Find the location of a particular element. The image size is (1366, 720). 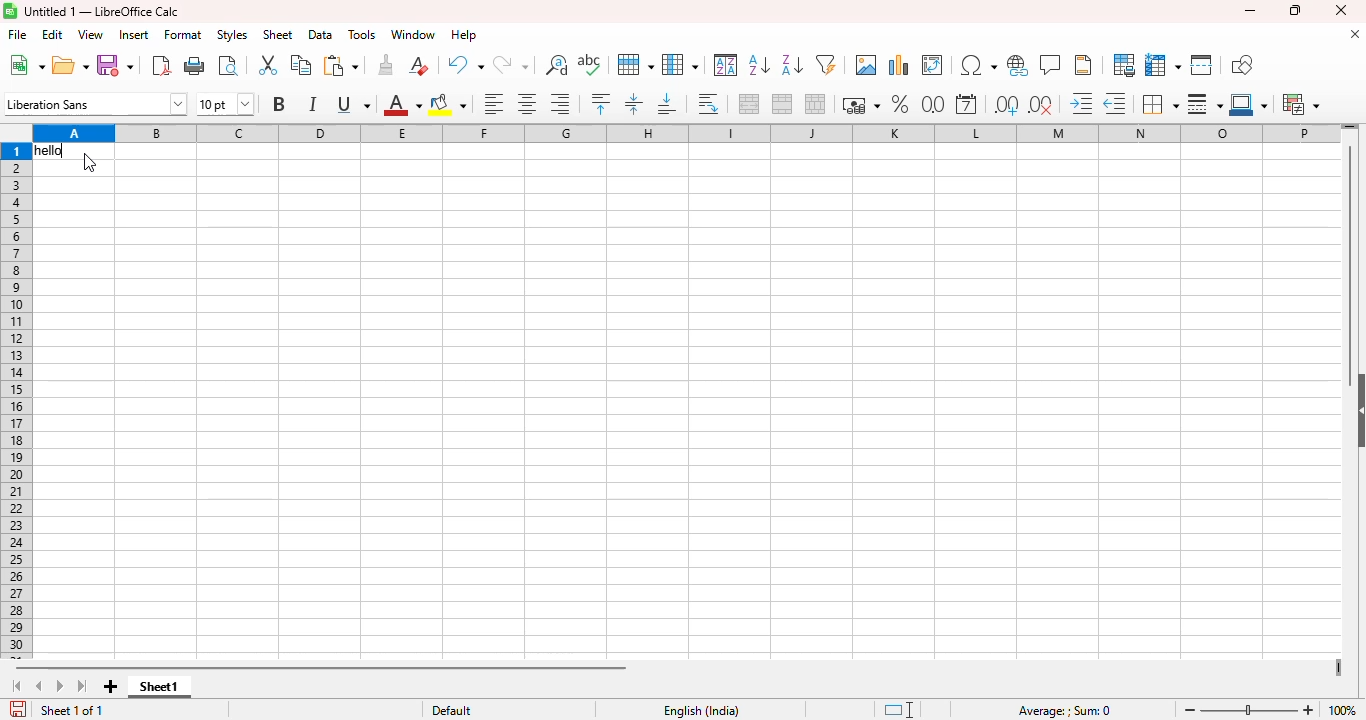

rows is located at coordinates (16, 402).